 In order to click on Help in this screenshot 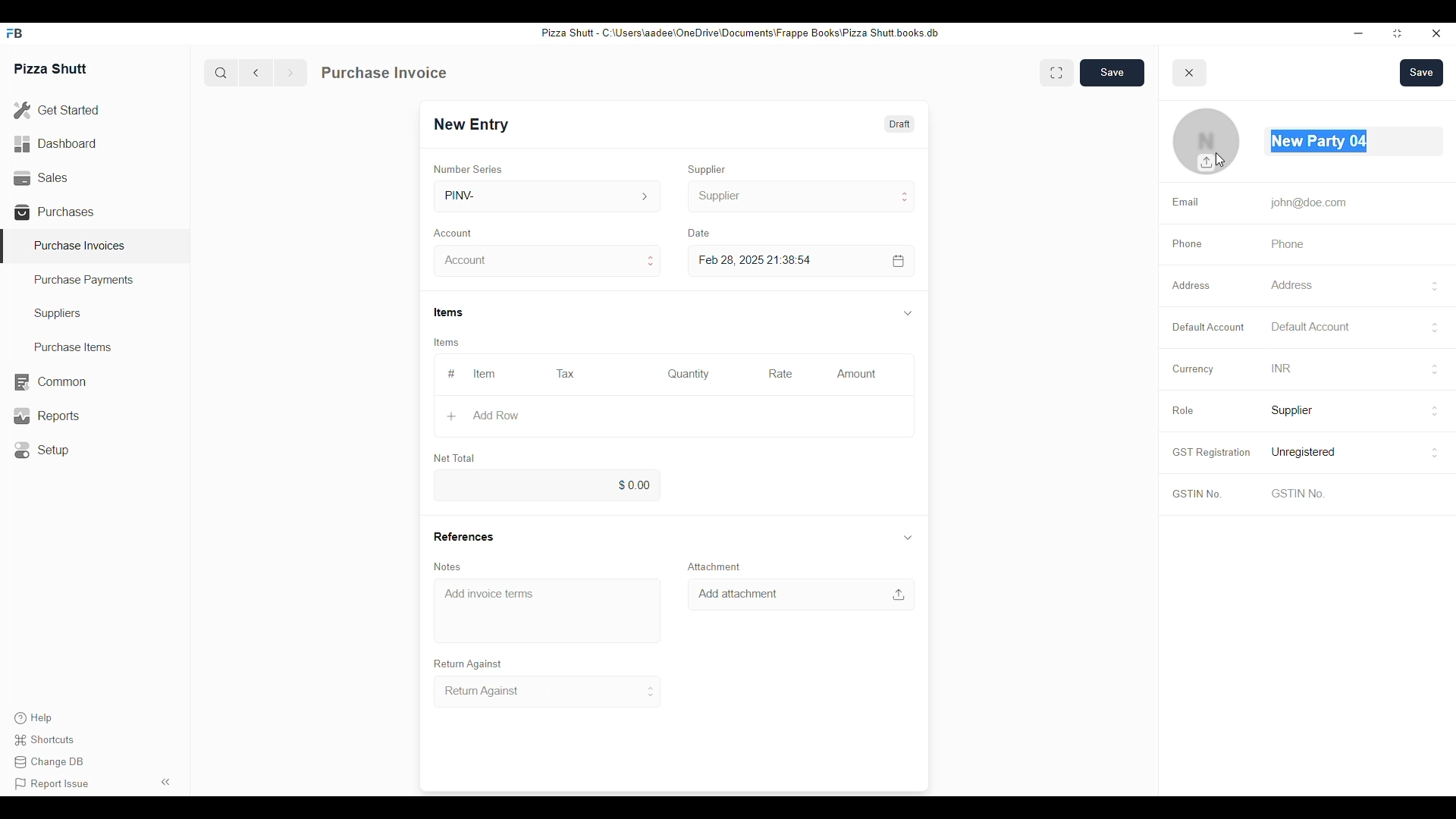, I will do `click(32, 718)`.